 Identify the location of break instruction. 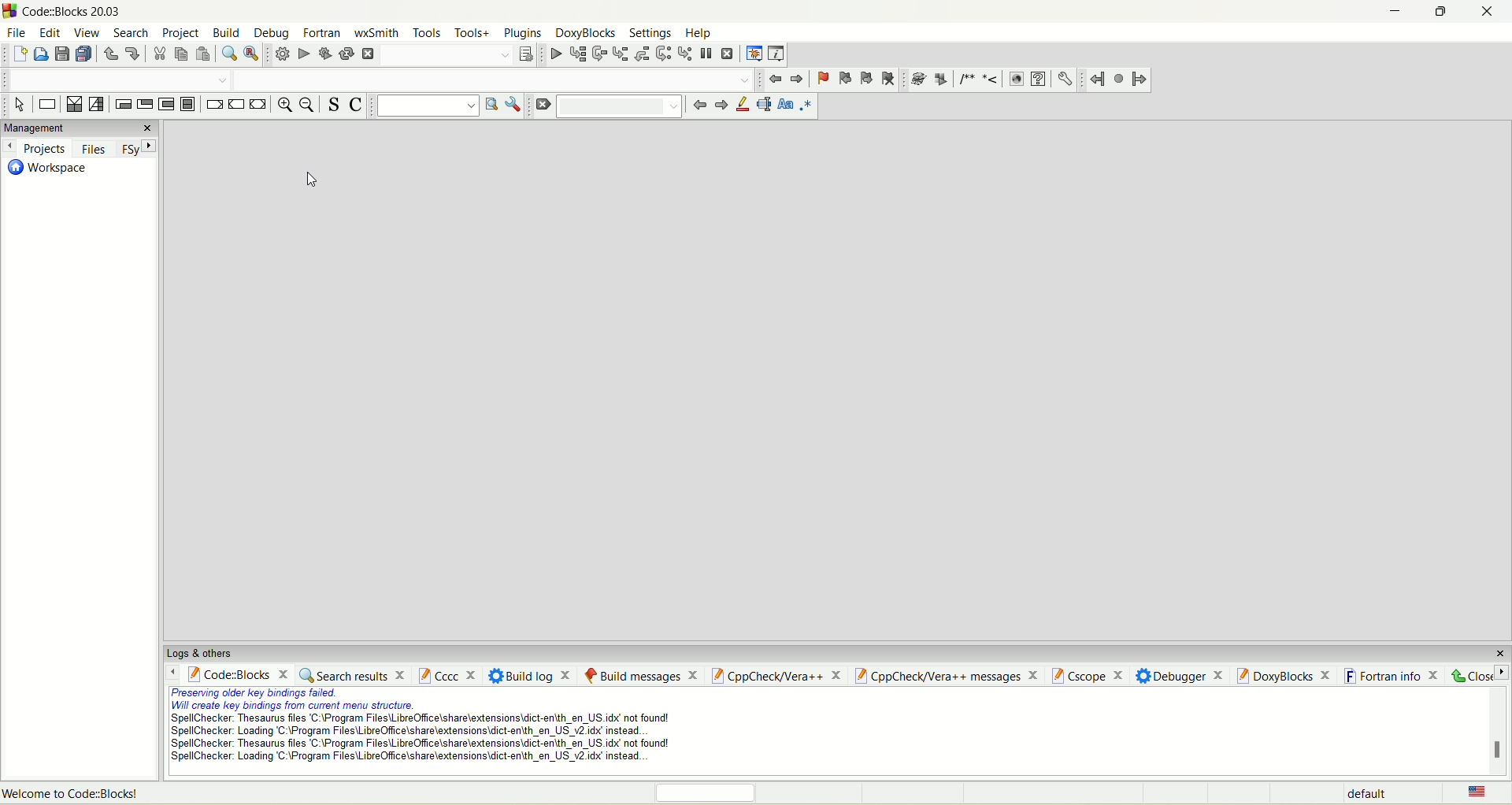
(213, 105).